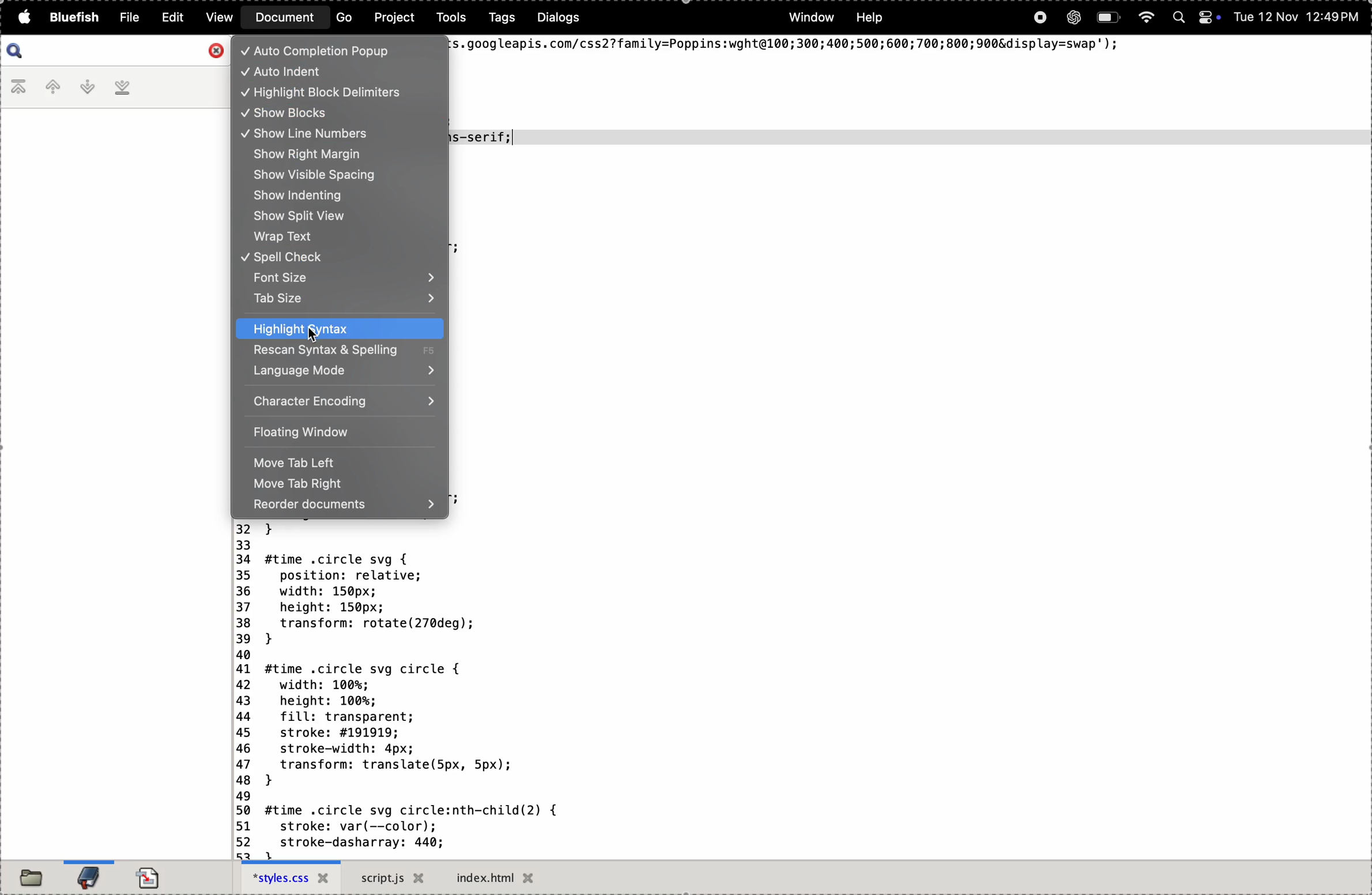  Describe the element at coordinates (342, 329) in the screenshot. I see `highlight syntax` at that location.